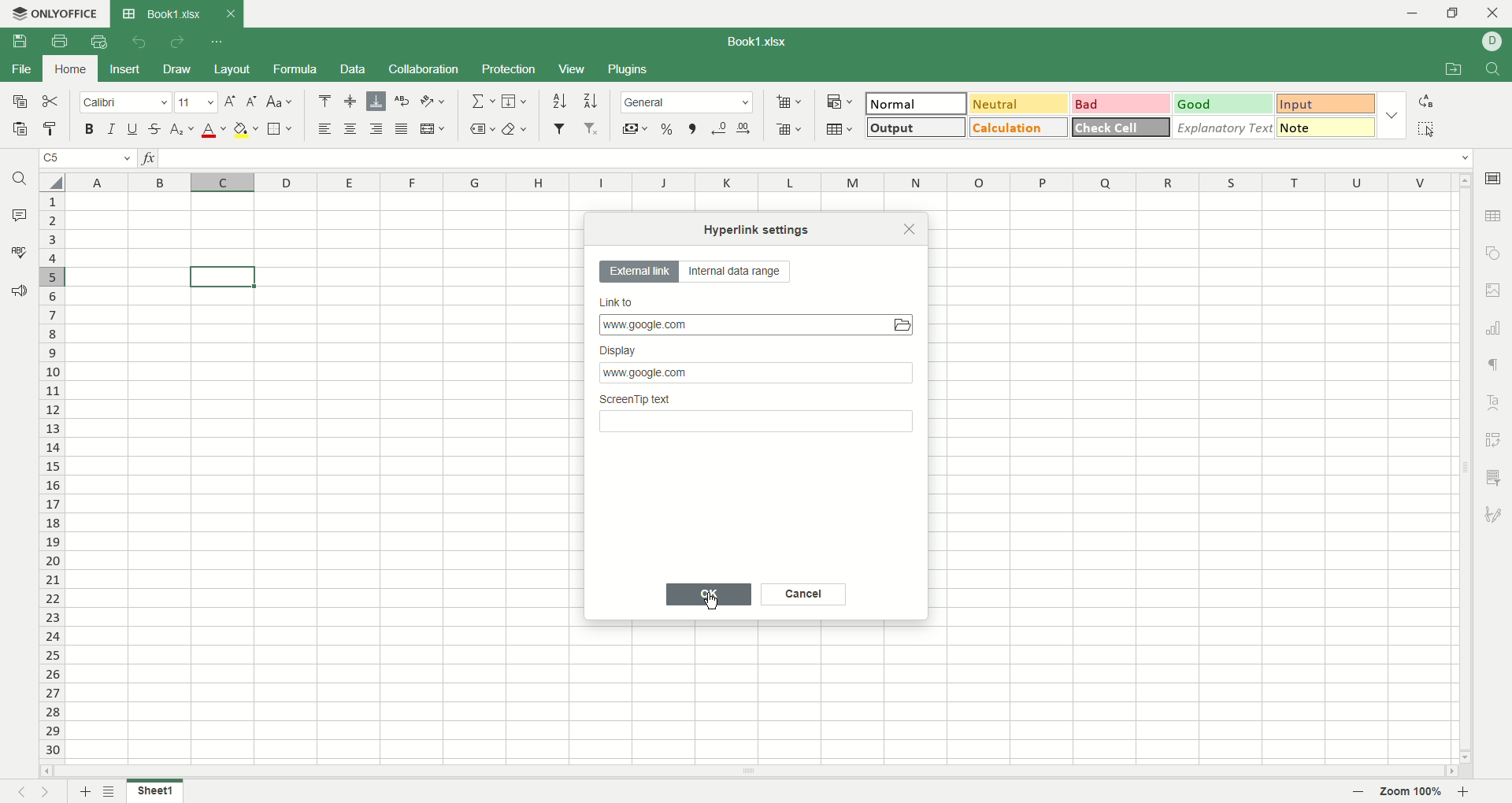 This screenshot has height=803, width=1512. What do you see at coordinates (1220, 103) in the screenshot?
I see `good` at bounding box center [1220, 103].